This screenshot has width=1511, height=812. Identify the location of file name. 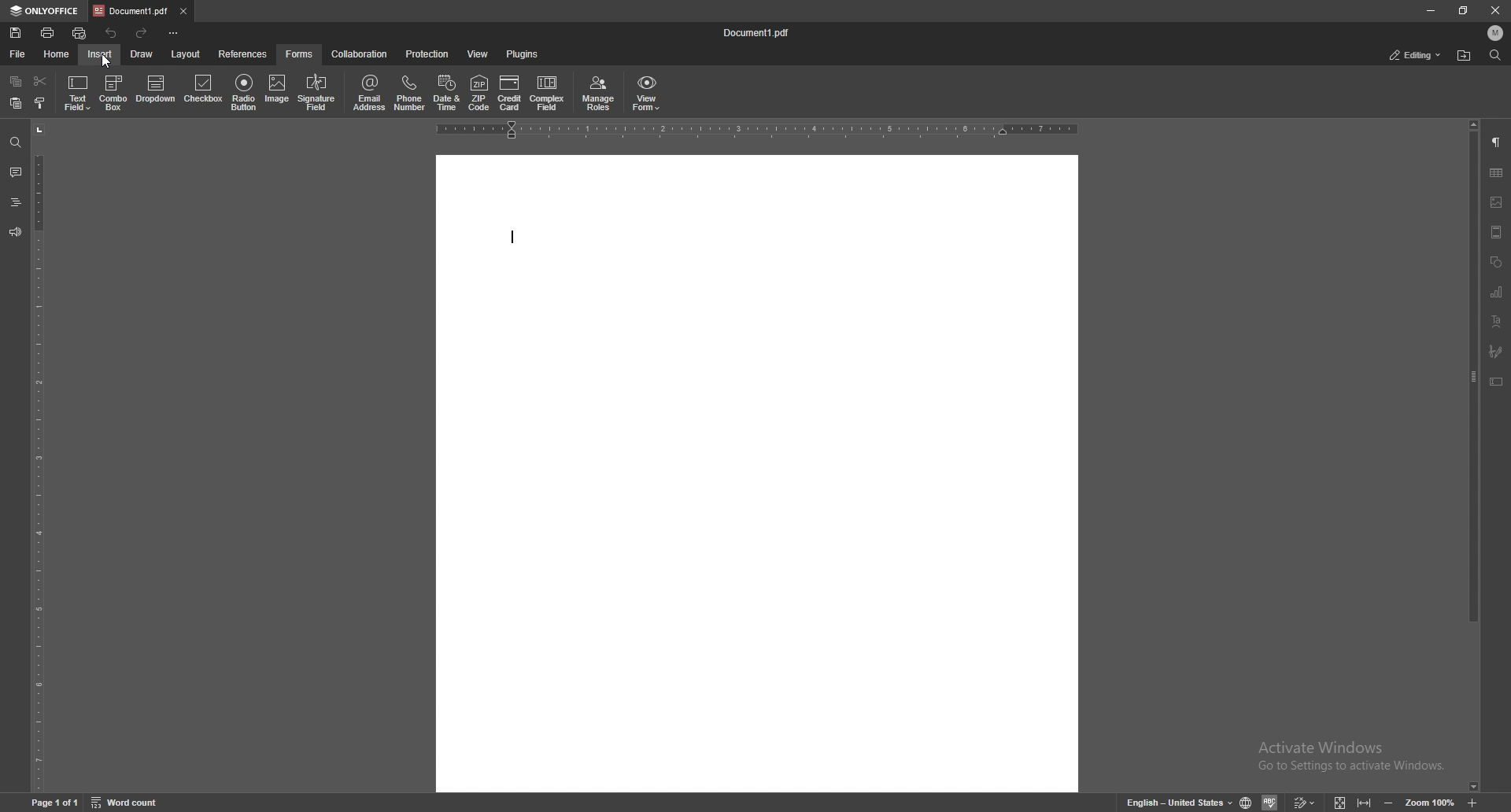
(758, 32).